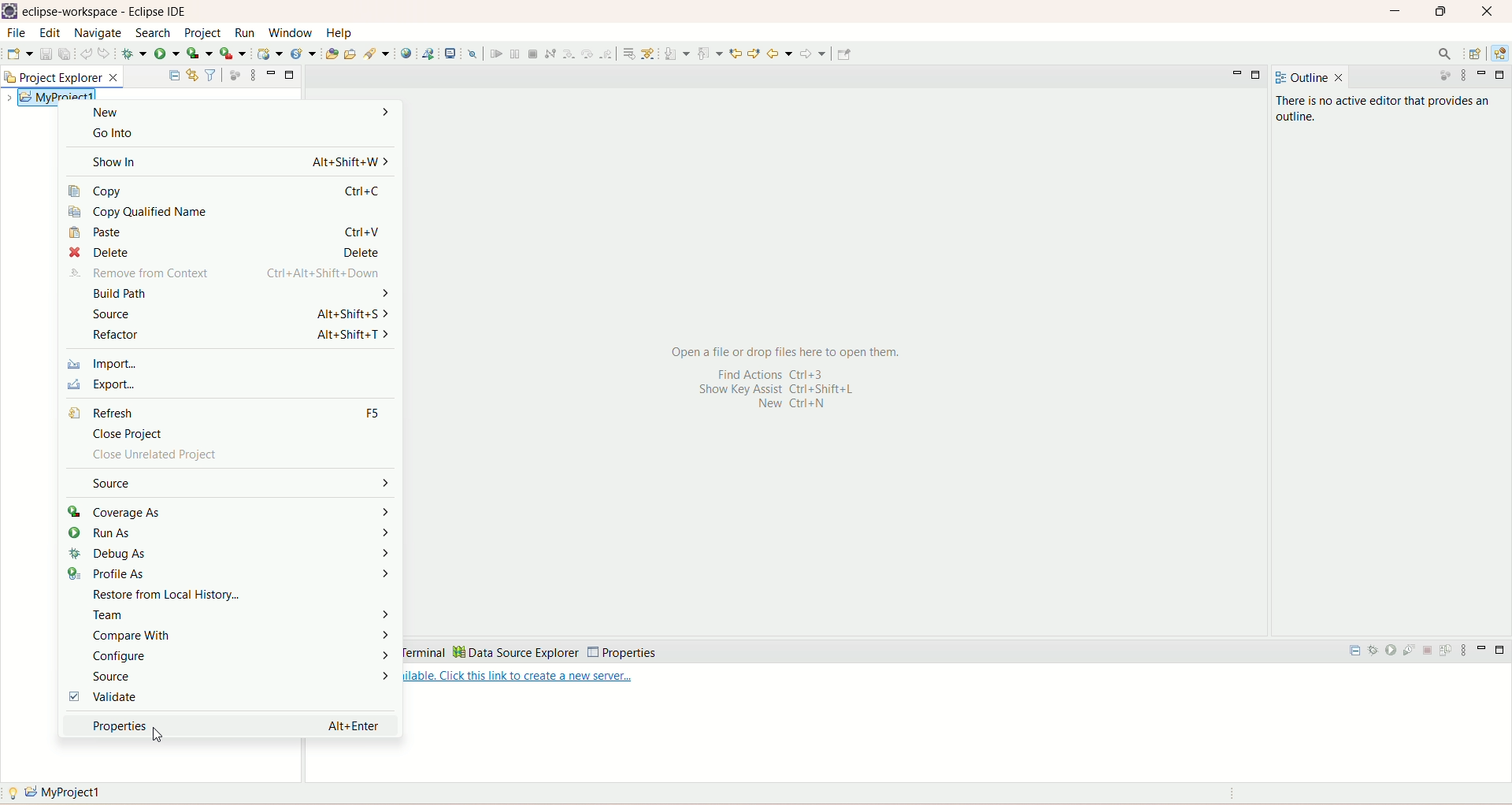 This screenshot has width=1512, height=805. Describe the element at coordinates (409, 54) in the screenshot. I see `open a web browser` at that location.